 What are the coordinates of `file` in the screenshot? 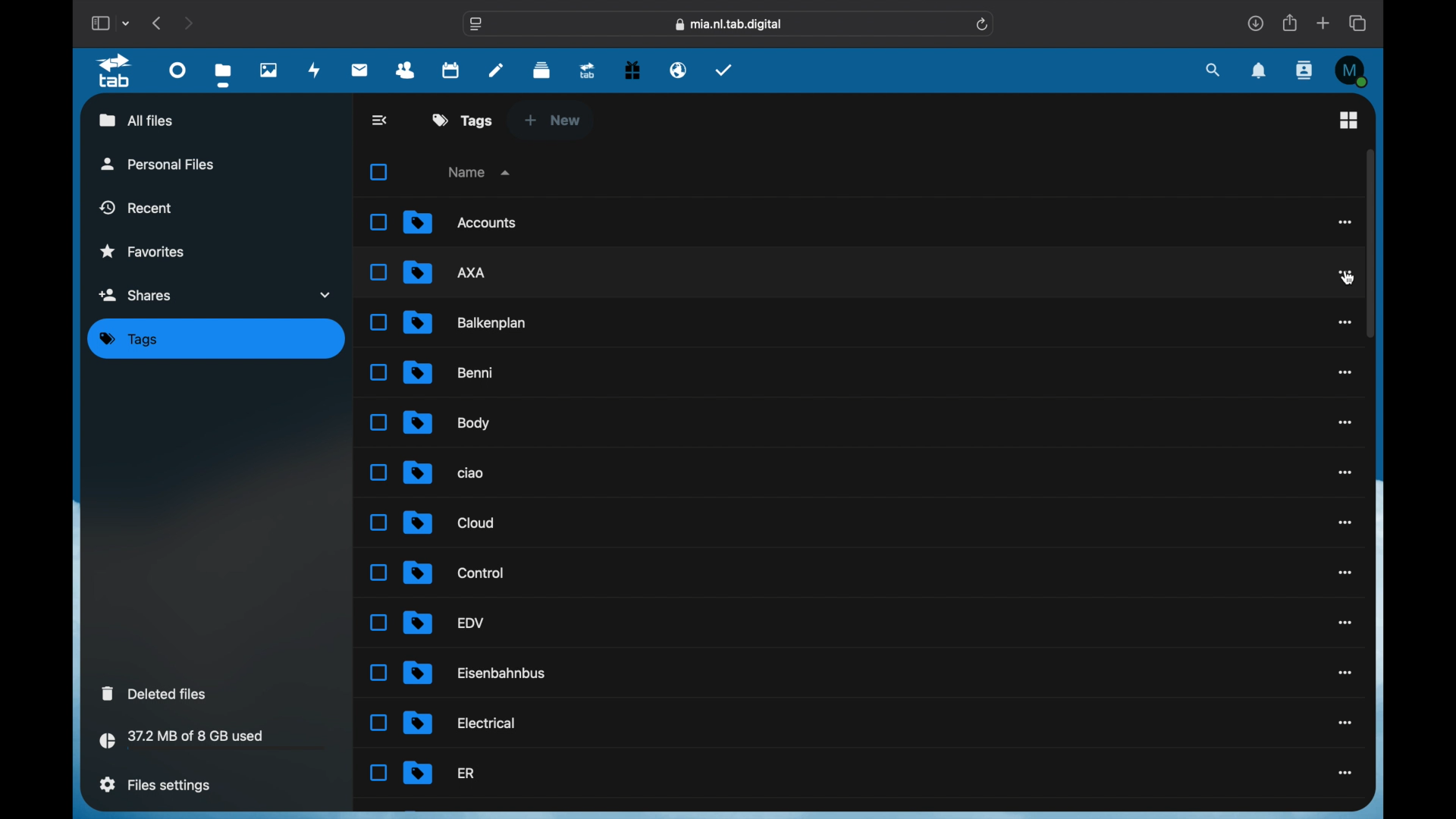 It's located at (460, 723).